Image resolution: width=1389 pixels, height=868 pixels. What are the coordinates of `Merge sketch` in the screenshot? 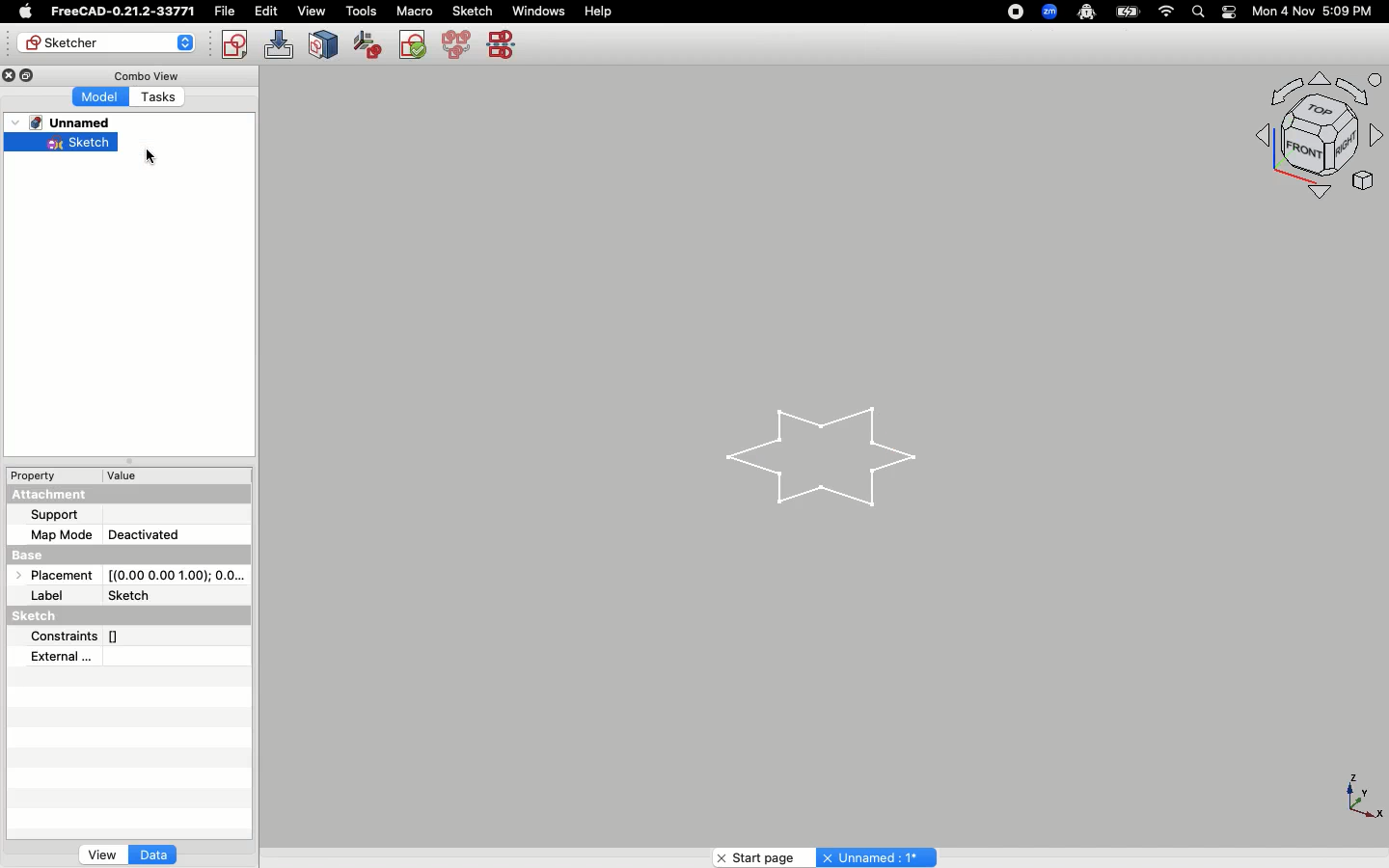 It's located at (455, 47).